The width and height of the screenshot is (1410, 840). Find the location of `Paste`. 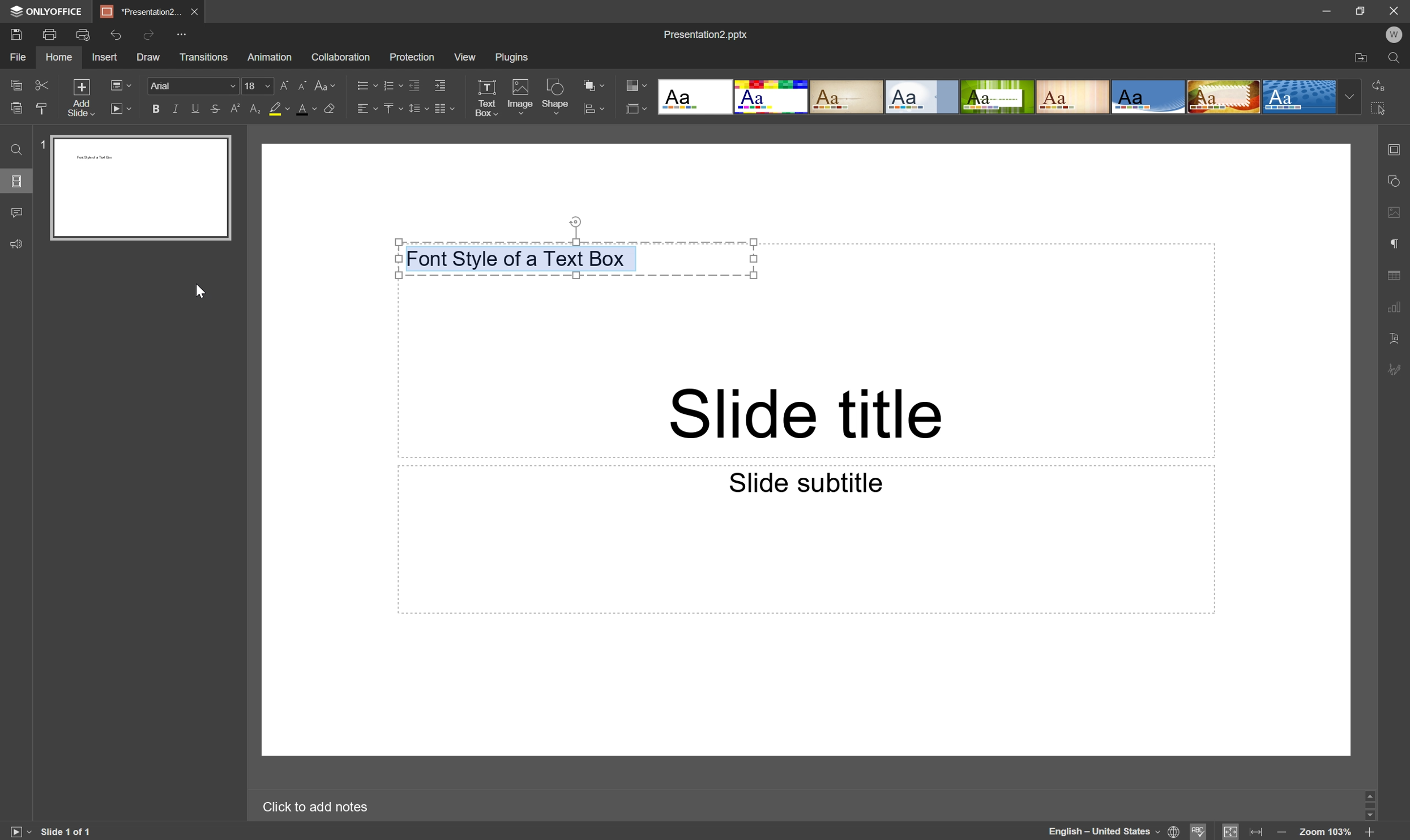

Paste is located at coordinates (16, 108).